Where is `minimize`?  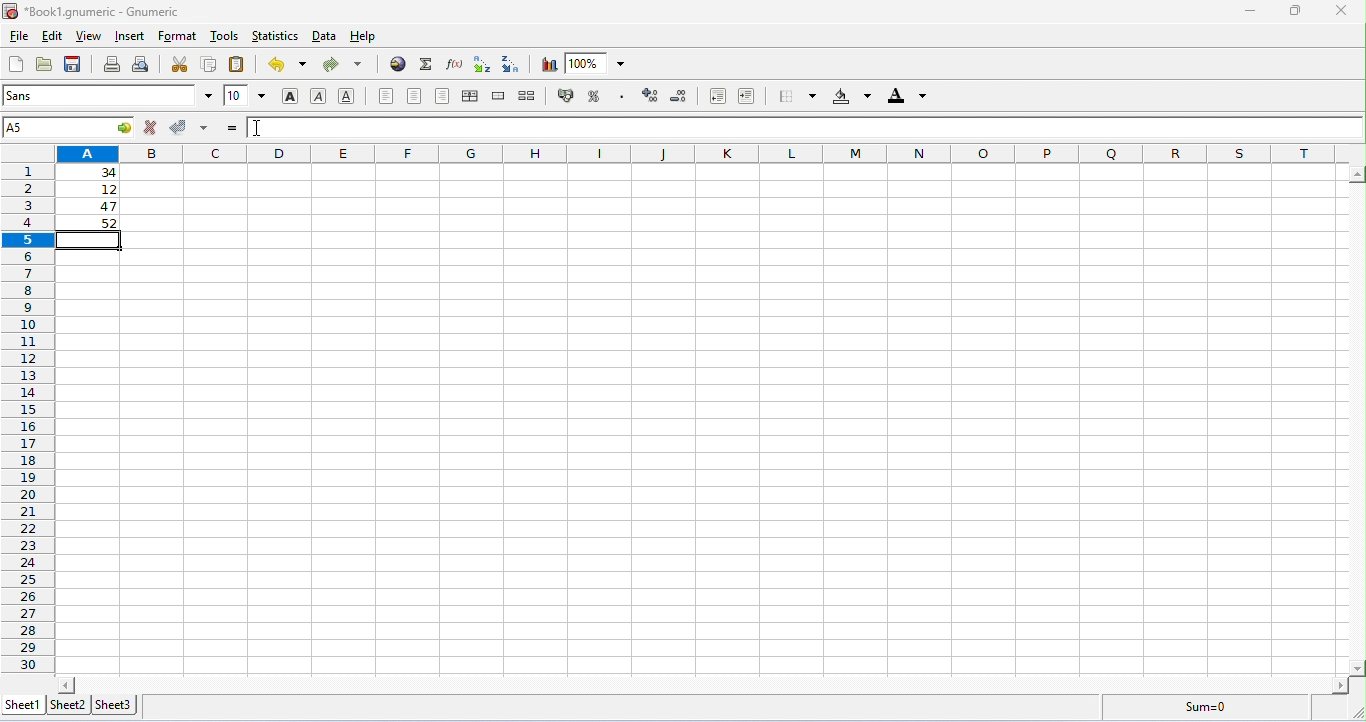
minimize is located at coordinates (1254, 13).